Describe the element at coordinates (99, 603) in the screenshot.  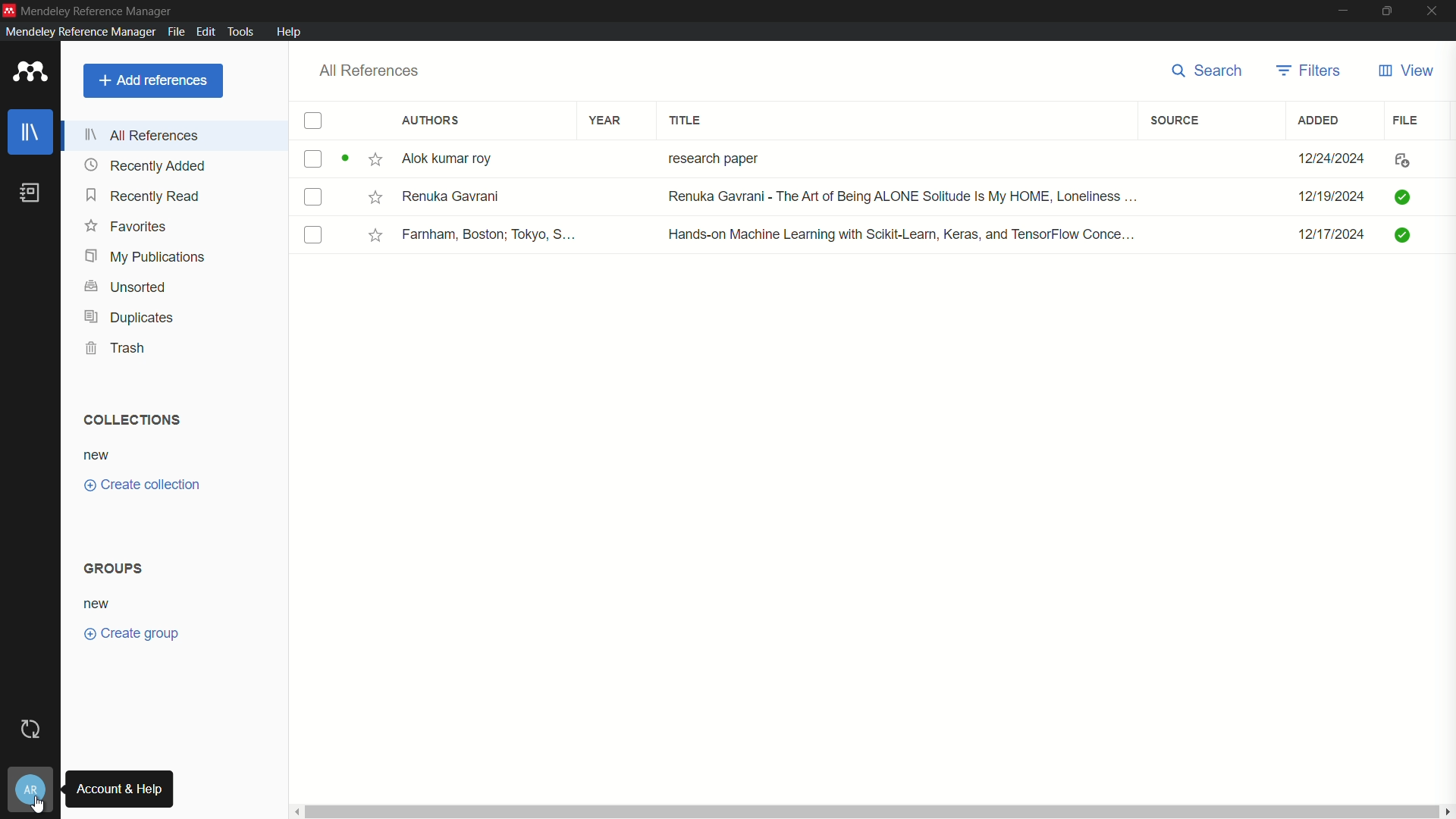
I see `new` at that location.